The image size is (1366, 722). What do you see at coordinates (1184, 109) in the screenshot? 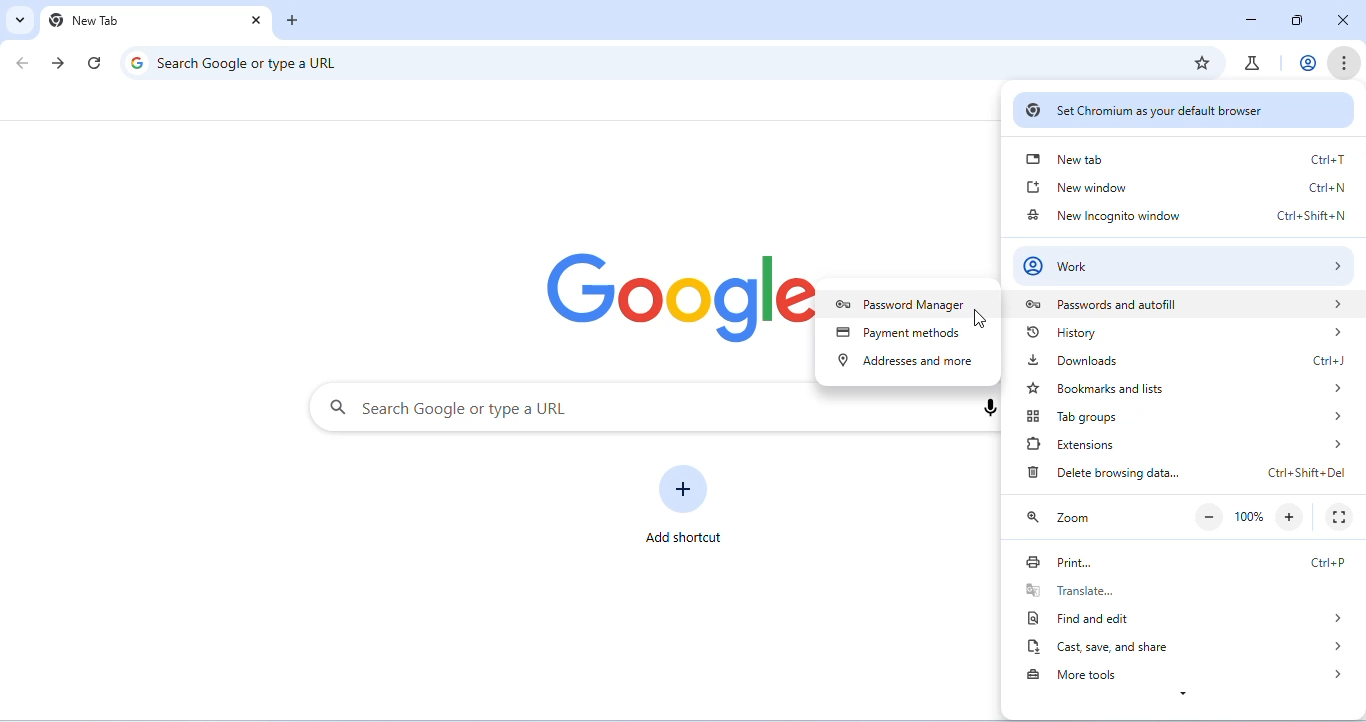
I see `set chromium as your default browser` at bounding box center [1184, 109].